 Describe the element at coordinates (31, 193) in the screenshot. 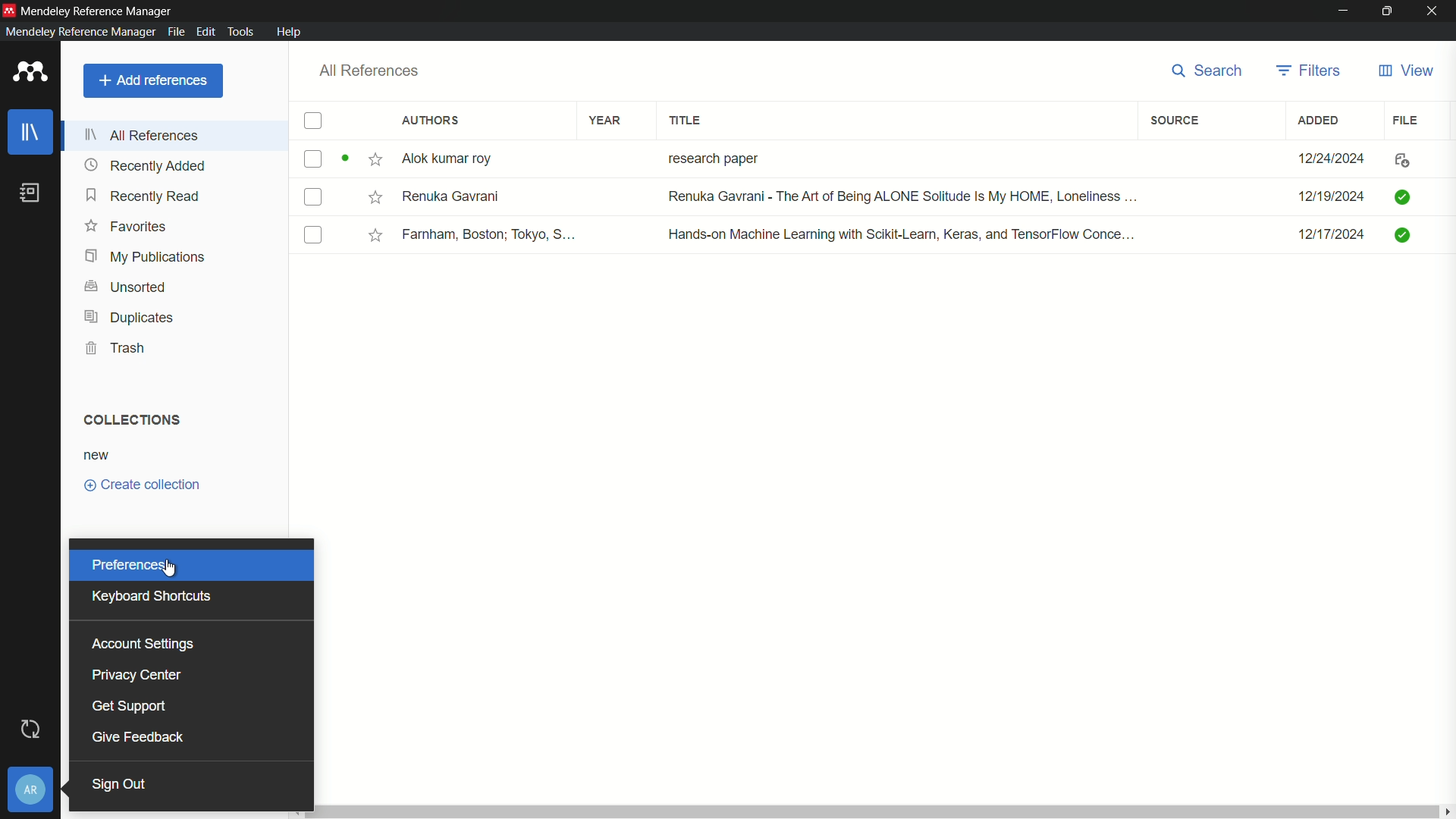

I see `book` at that location.